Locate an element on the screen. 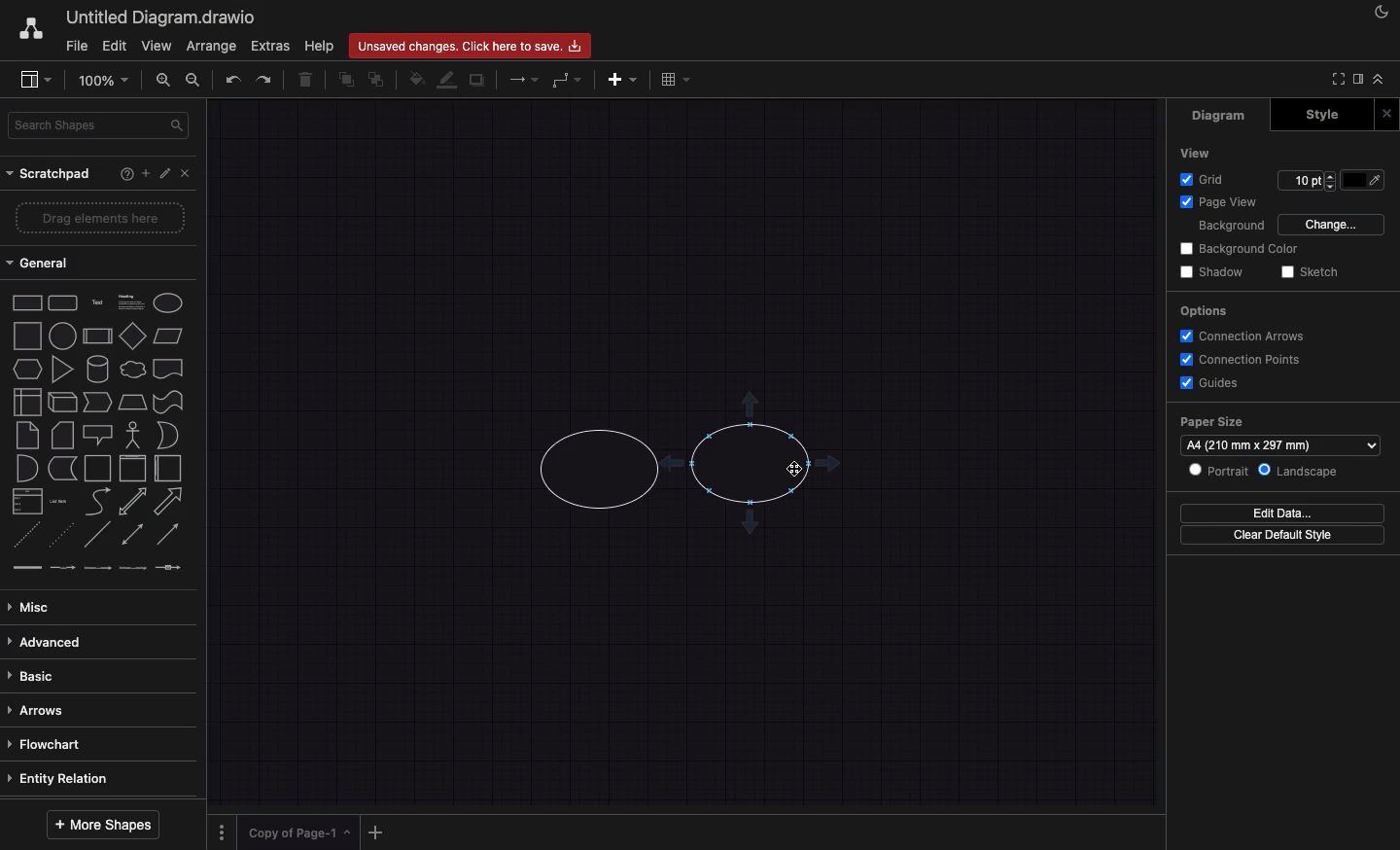  sketch is located at coordinates (1312, 271).